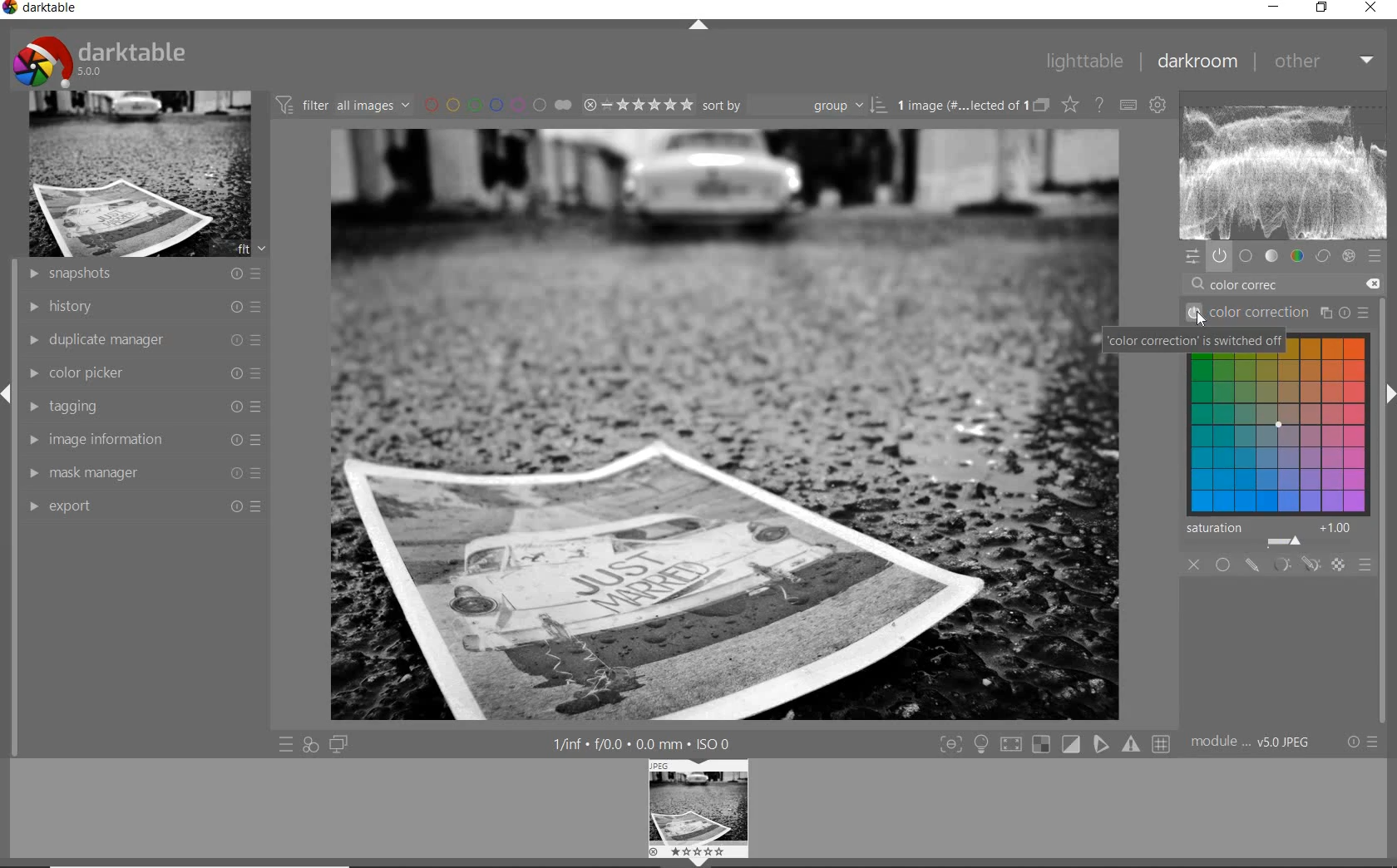 This screenshot has height=868, width=1397. I want to click on show global preference, so click(1156, 106).